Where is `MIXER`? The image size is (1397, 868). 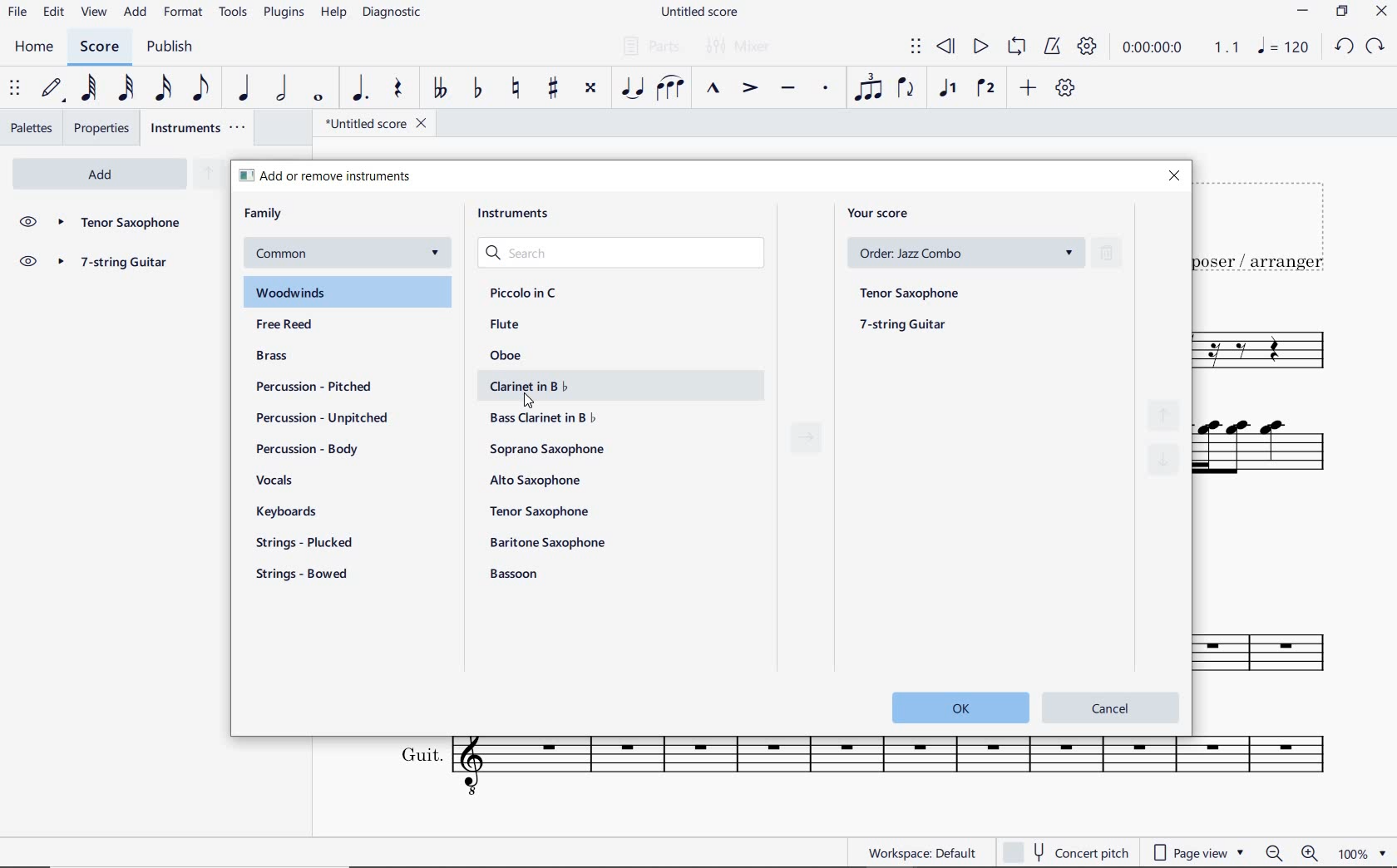 MIXER is located at coordinates (740, 47).